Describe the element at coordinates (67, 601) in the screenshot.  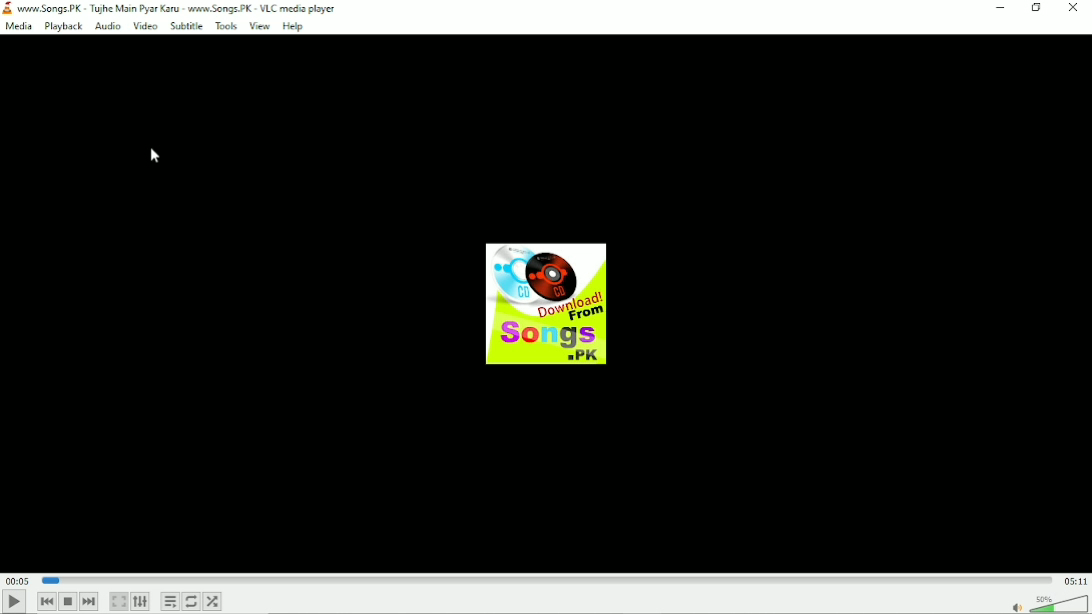
I see `Stop playback` at that location.